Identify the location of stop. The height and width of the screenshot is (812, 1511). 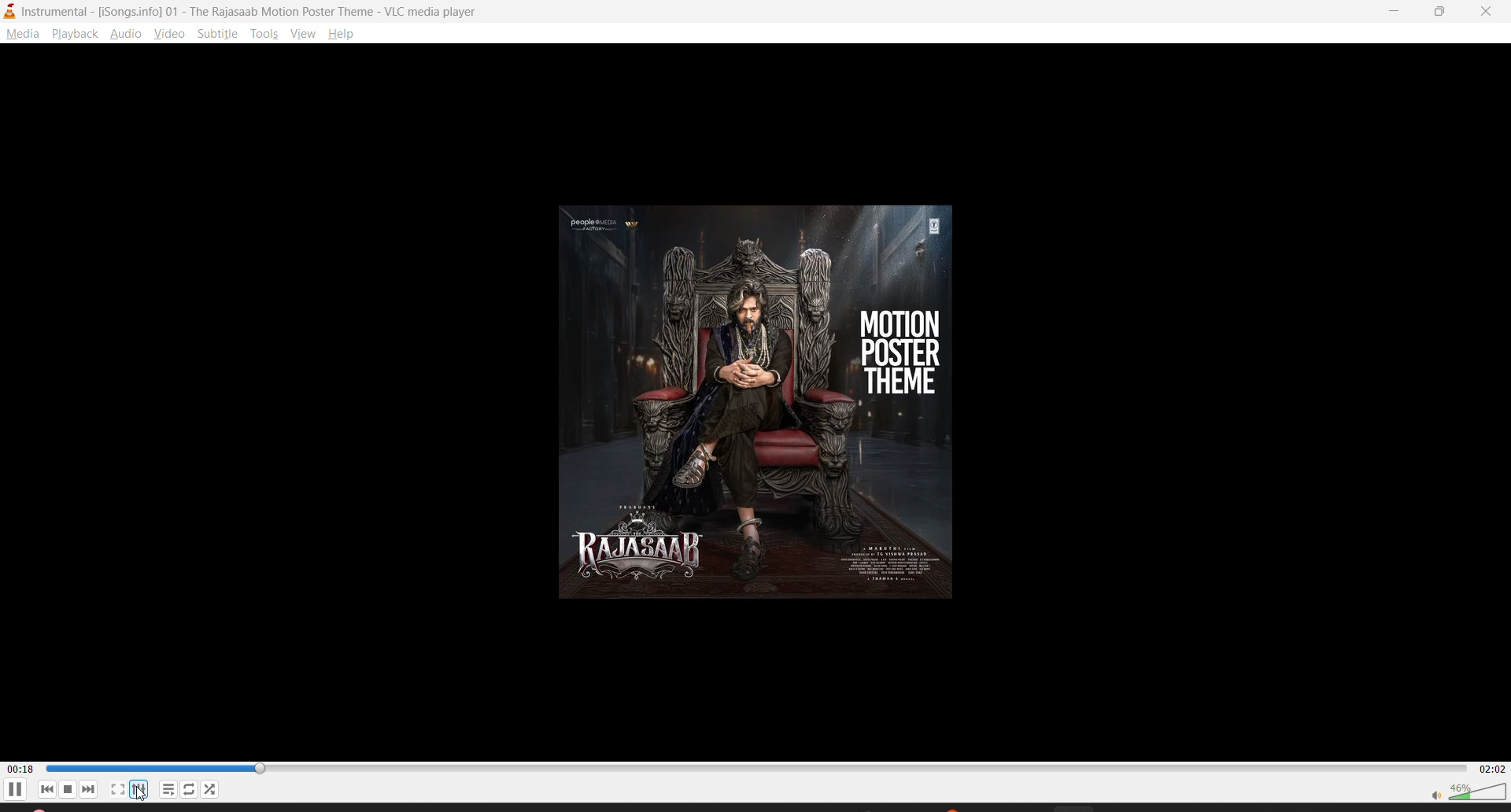
(68, 789).